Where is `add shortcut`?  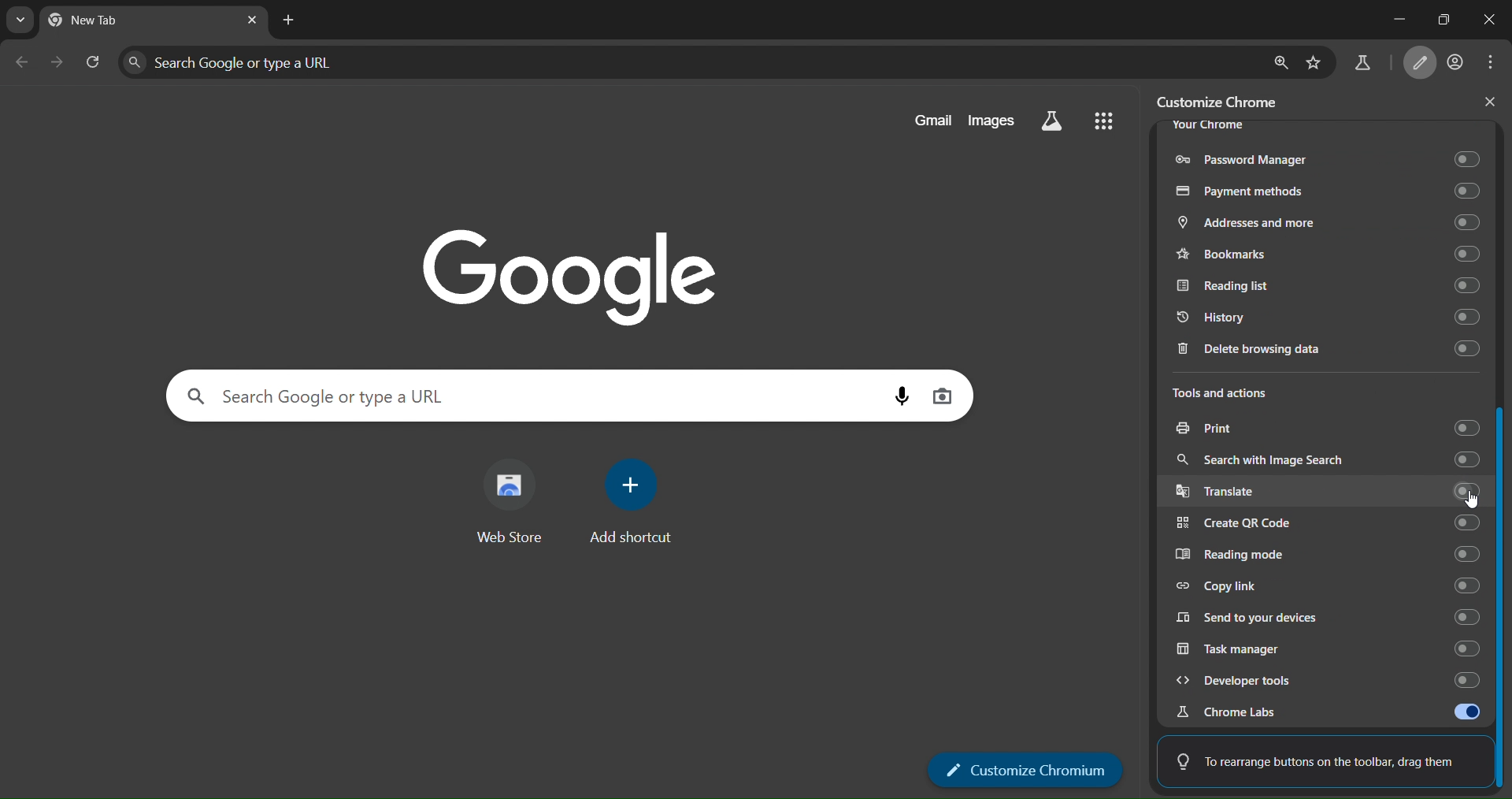 add shortcut is located at coordinates (638, 507).